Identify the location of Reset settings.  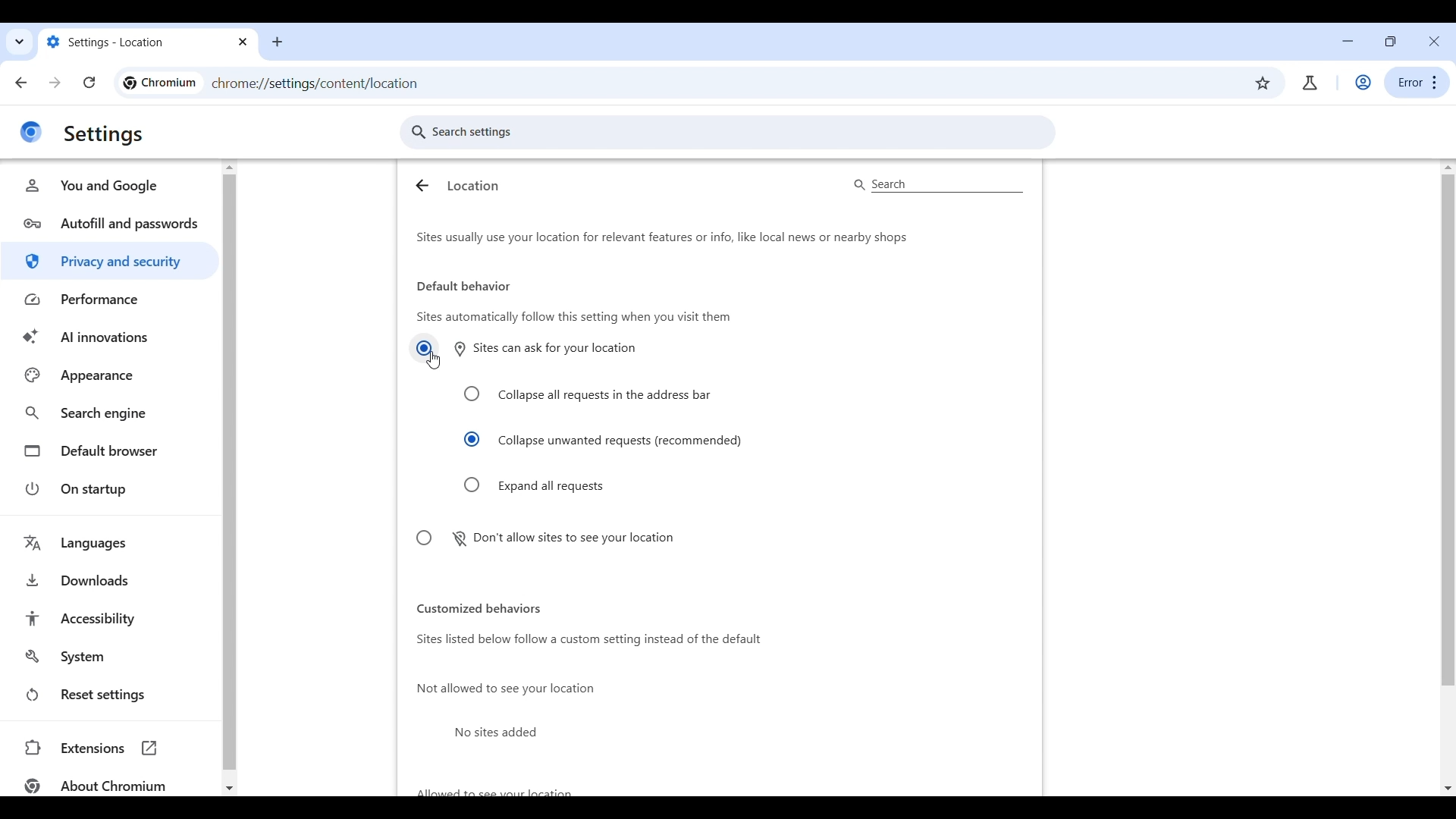
(108, 695).